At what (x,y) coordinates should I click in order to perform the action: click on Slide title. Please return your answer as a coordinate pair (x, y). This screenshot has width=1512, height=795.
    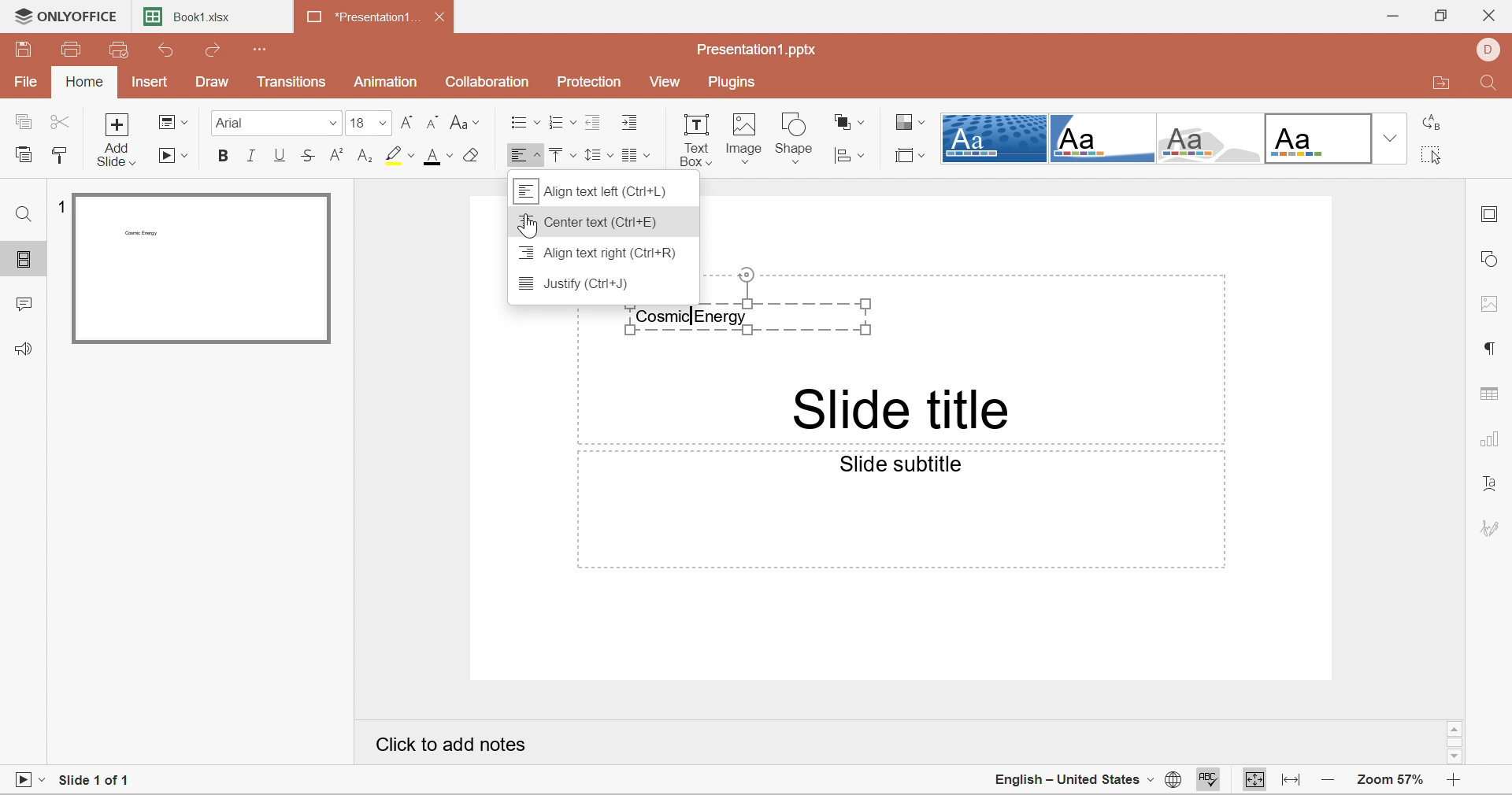
    Looking at the image, I should click on (901, 409).